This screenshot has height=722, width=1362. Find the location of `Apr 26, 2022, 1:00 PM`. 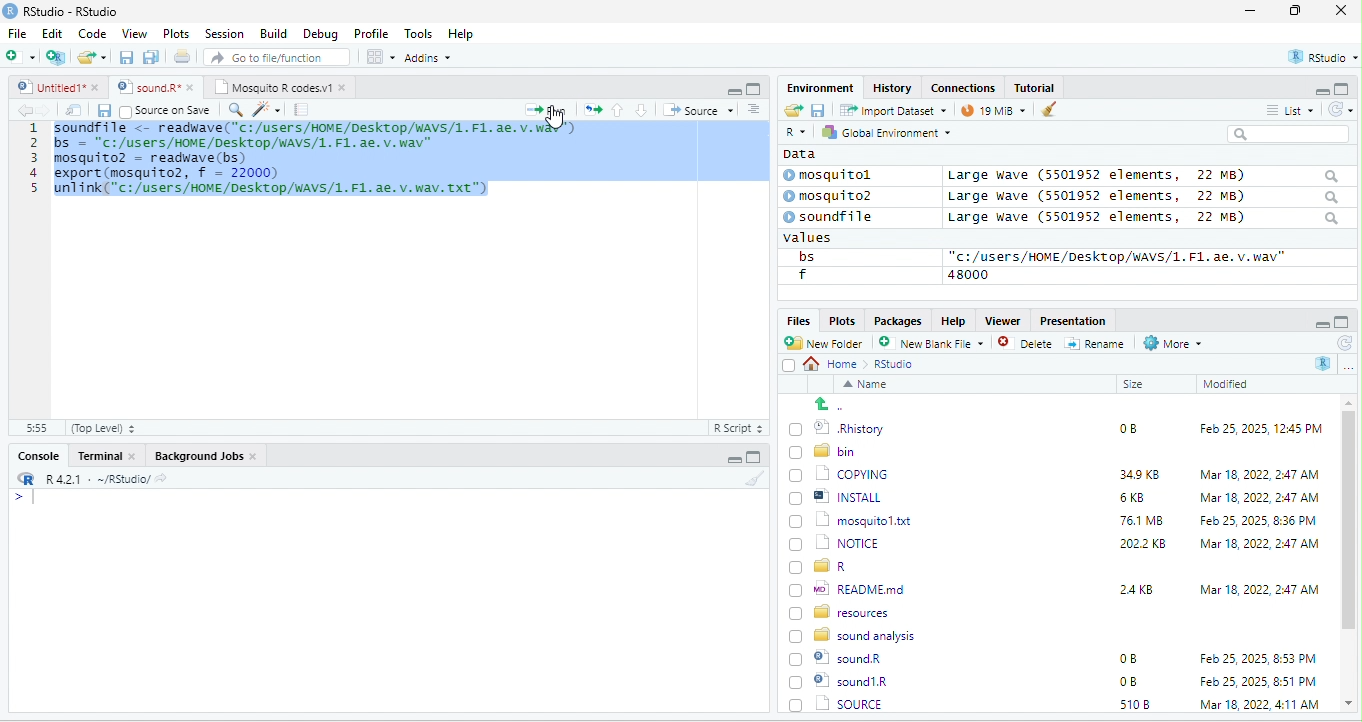

Apr 26, 2022, 1:00 PM is located at coordinates (1260, 706).